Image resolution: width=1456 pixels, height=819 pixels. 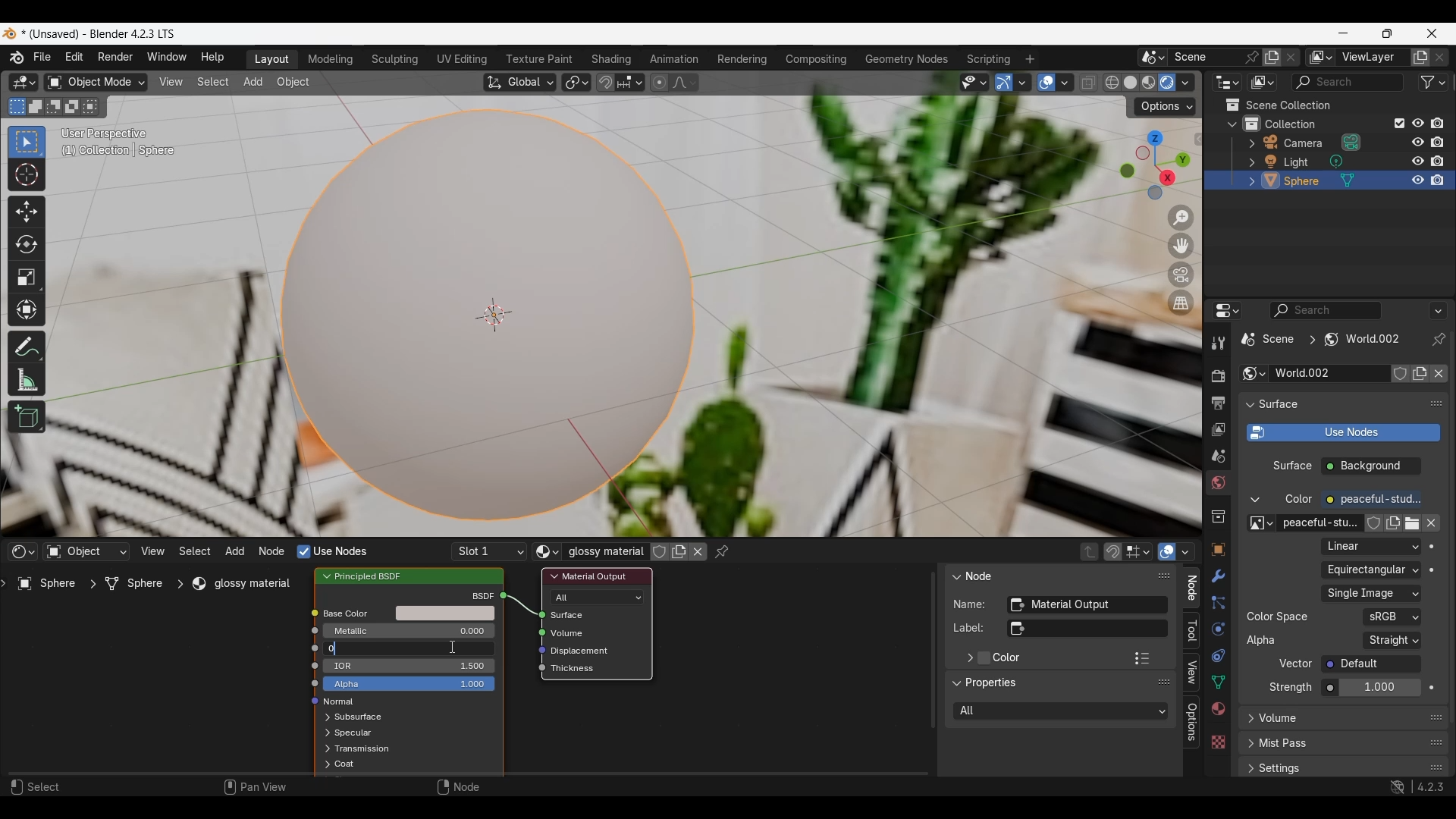 I want to click on Show gizmo, so click(x=1003, y=83).